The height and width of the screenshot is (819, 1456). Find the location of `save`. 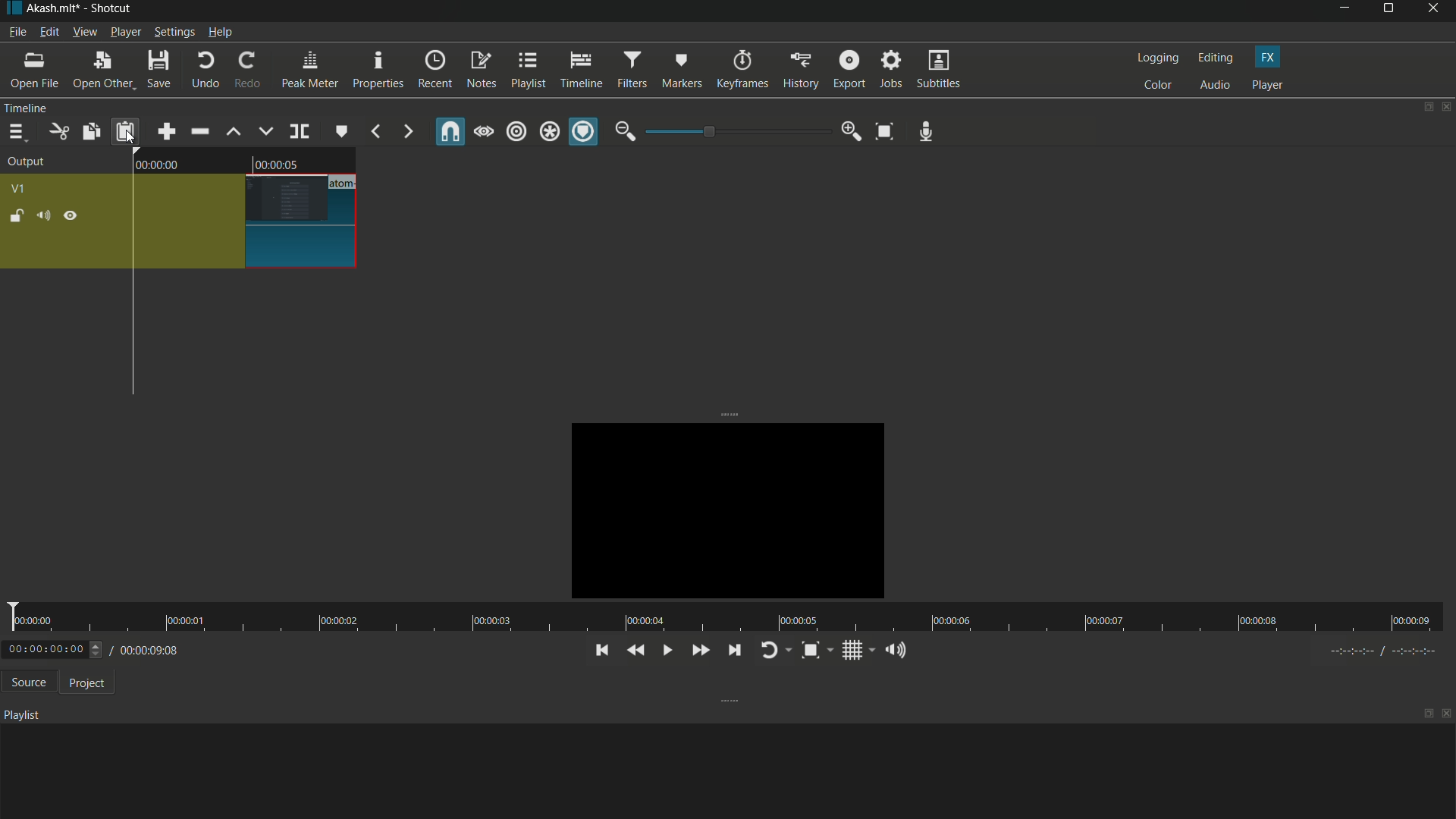

save is located at coordinates (158, 70).